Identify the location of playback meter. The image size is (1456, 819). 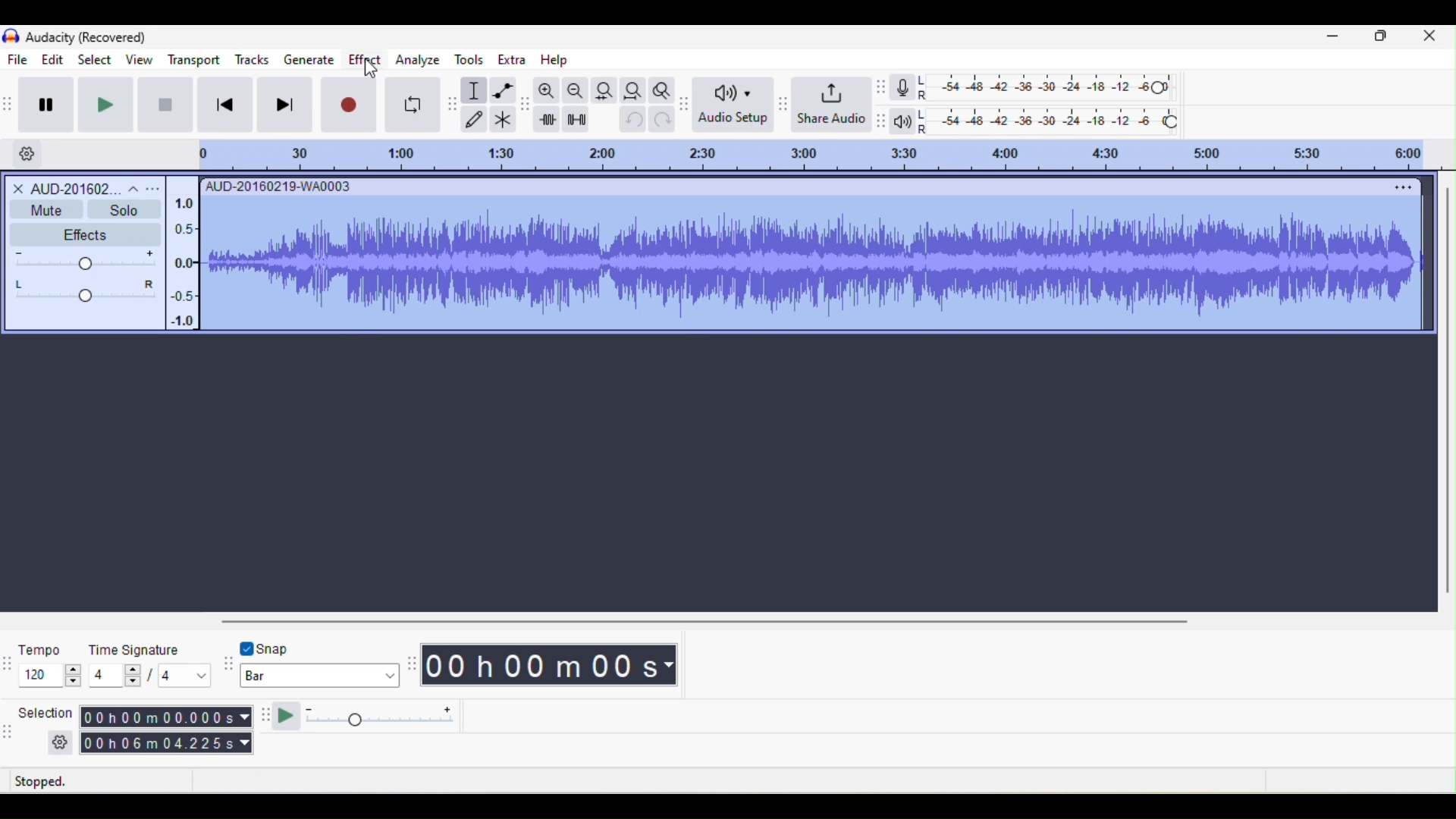
(903, 124).